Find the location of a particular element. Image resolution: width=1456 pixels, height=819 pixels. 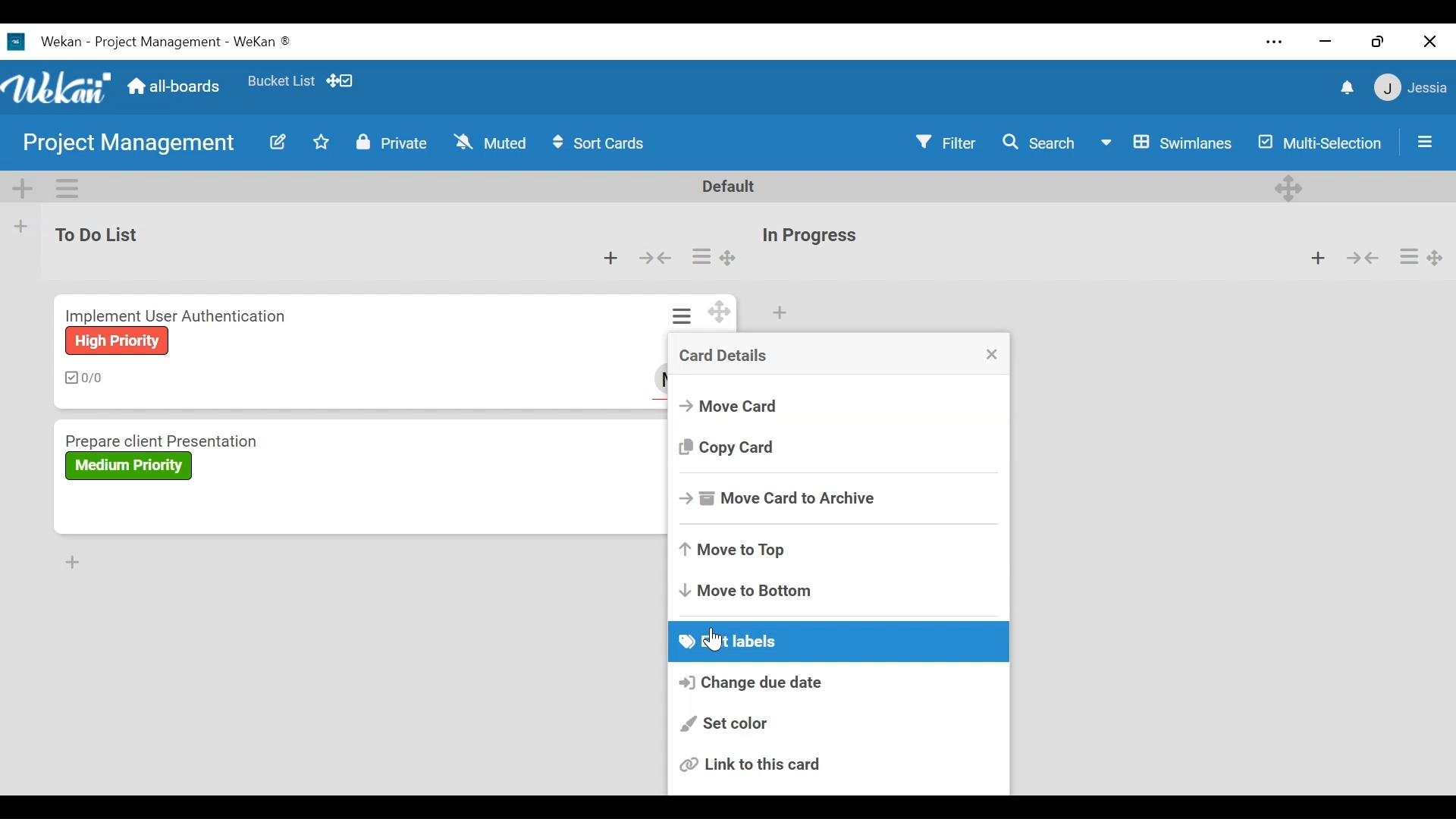

Change due date is located at coordinates (839, 683).